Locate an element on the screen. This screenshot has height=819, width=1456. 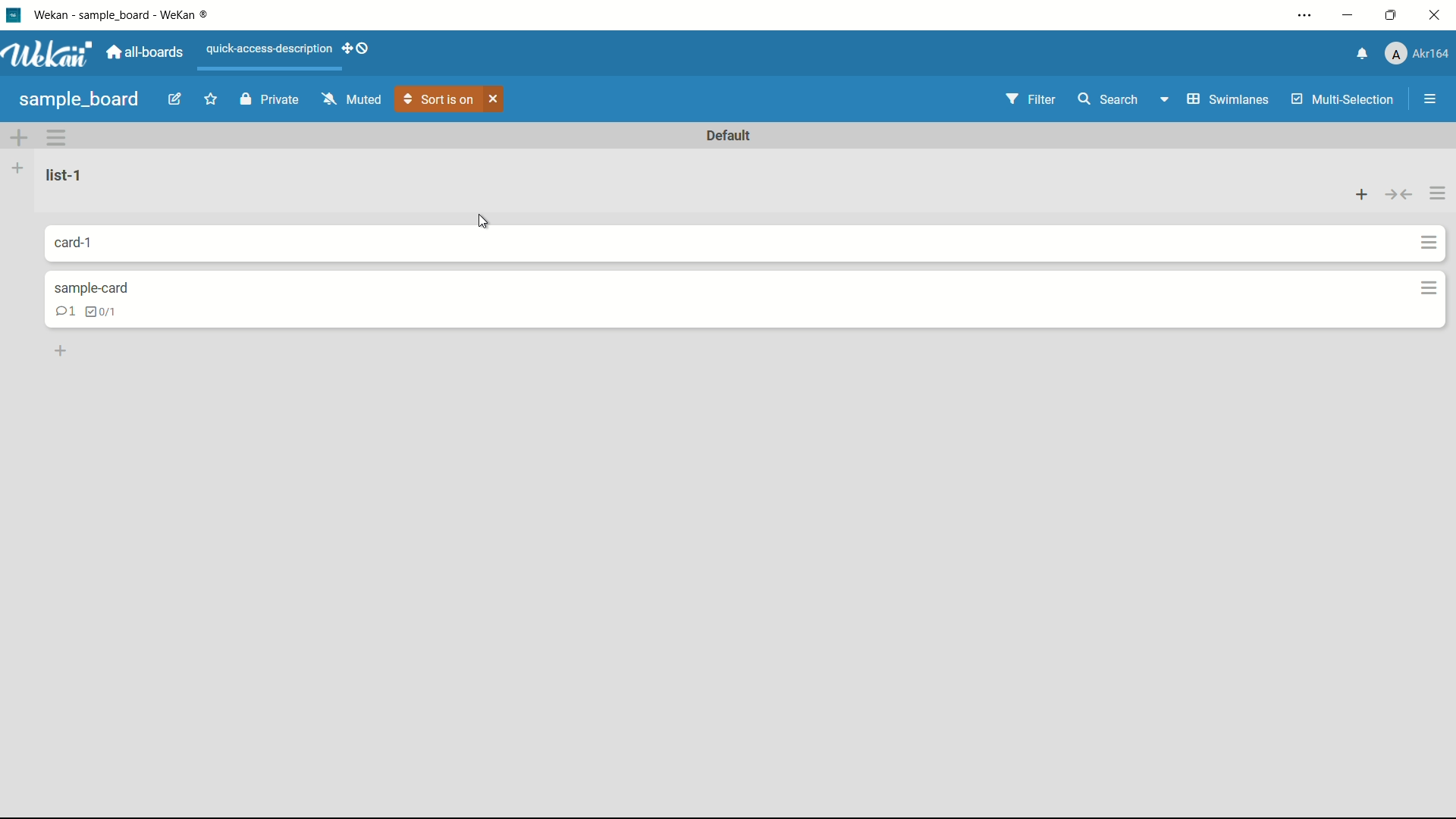
open sidebar or close sidebar is located at coordinates (1430, 99).